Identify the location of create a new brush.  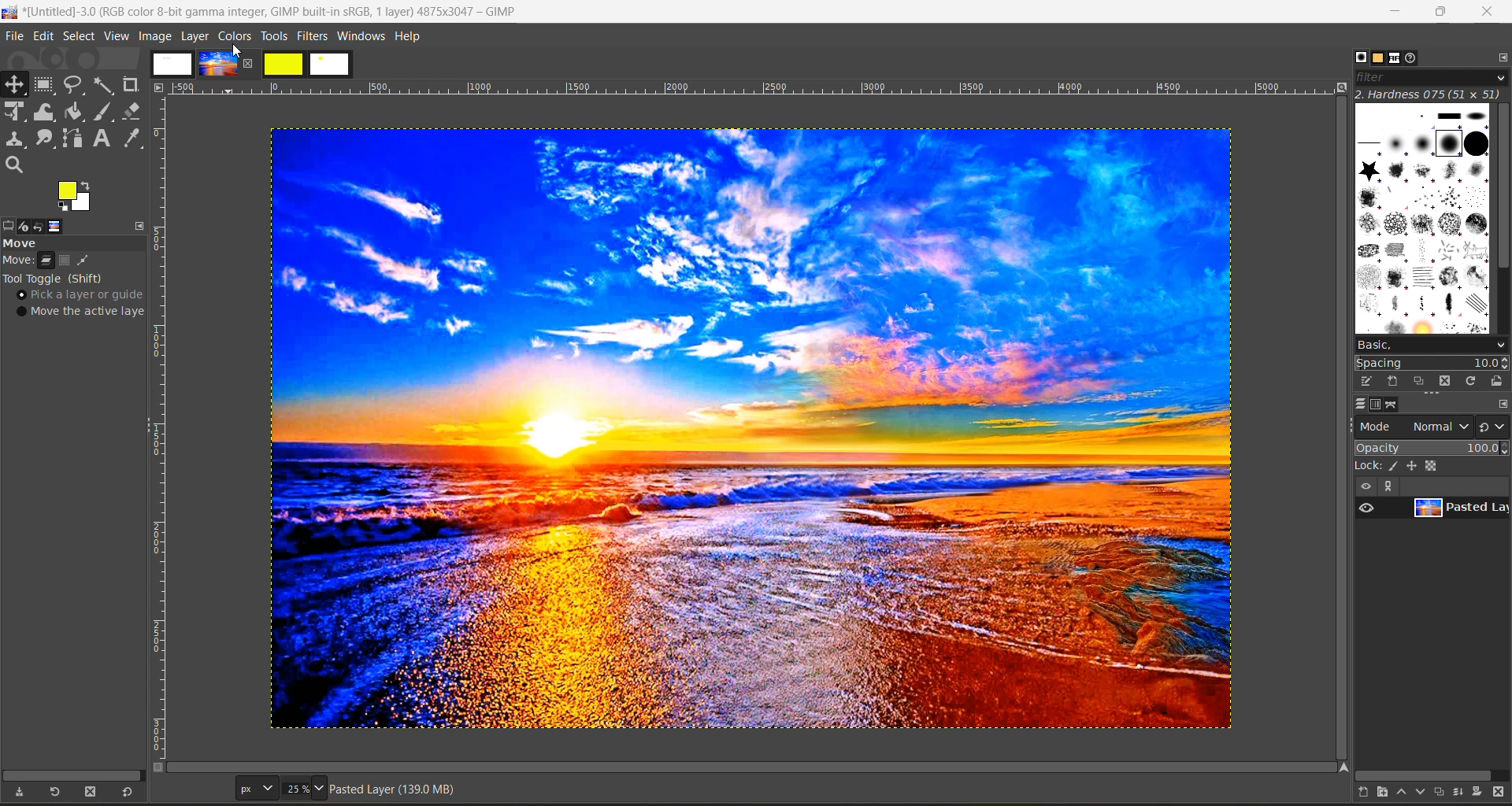
(1391, 380).